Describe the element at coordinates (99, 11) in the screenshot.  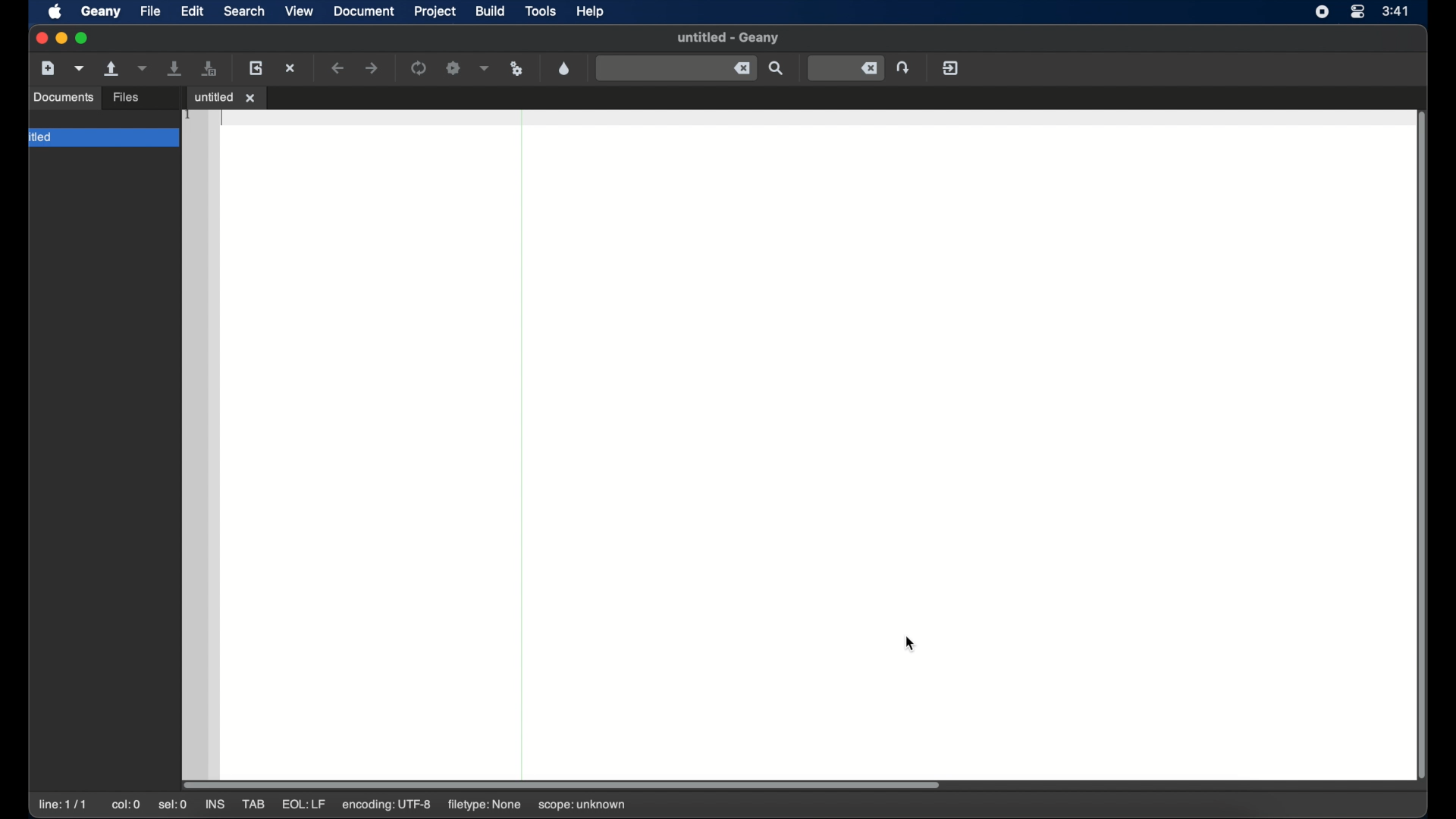
I see `geany` at that location.